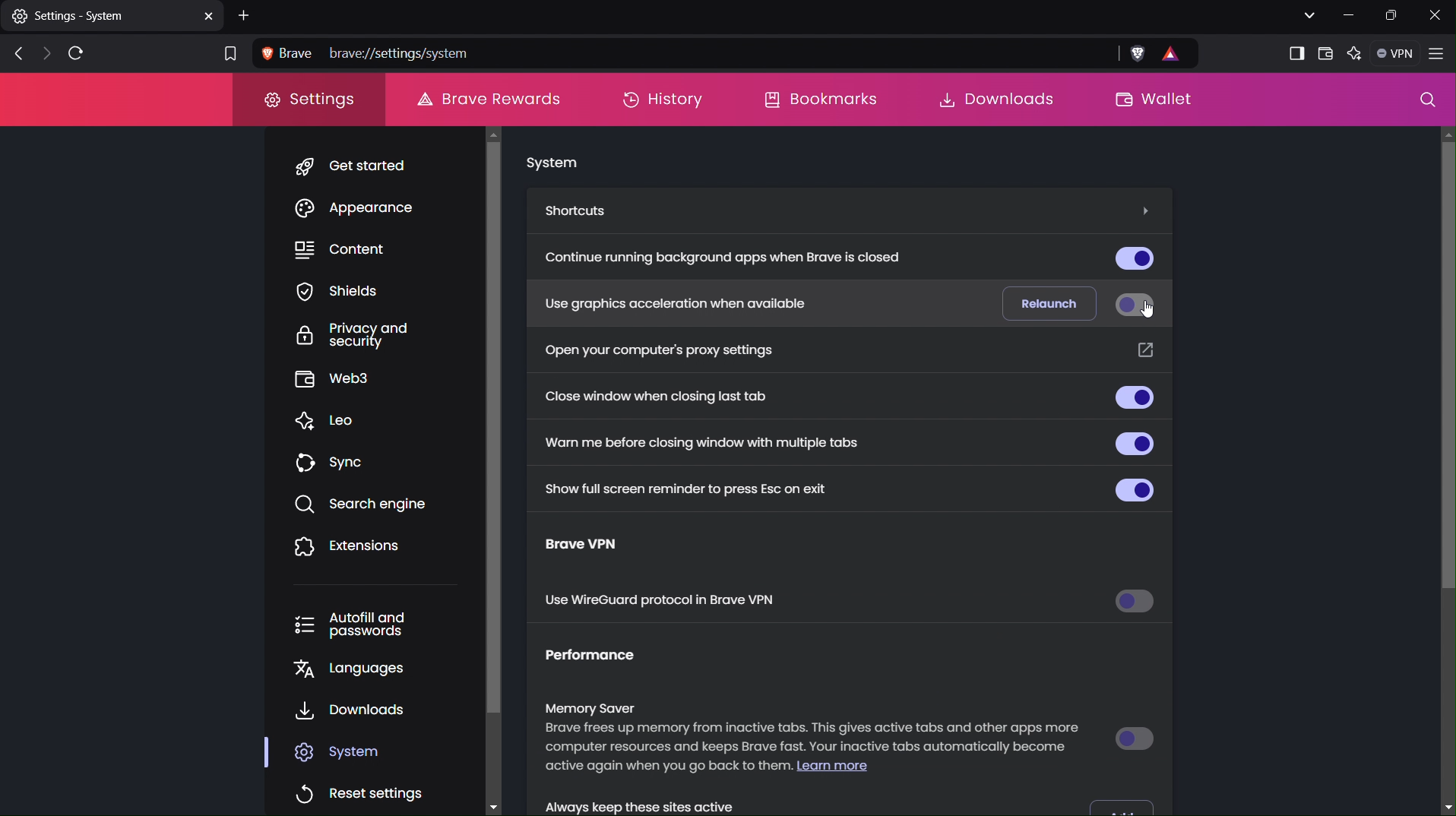 The height and width of the screenshot is (816, 1456). What do you see at coordinates (1124, 804) in the screenshot?
I see `Button` at bounding box center [1124, 804].